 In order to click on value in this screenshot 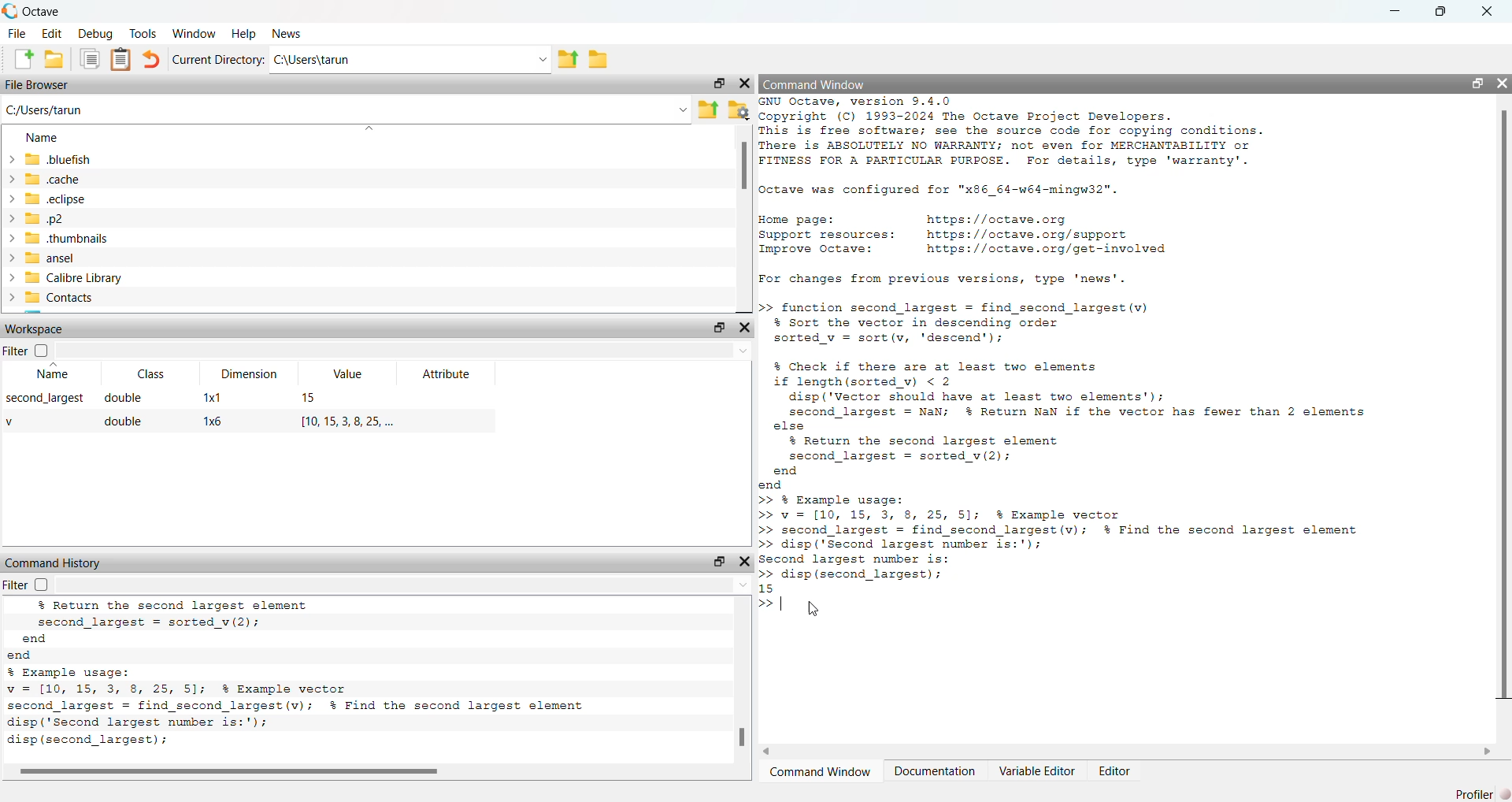, I will do `click(349, 377)`.